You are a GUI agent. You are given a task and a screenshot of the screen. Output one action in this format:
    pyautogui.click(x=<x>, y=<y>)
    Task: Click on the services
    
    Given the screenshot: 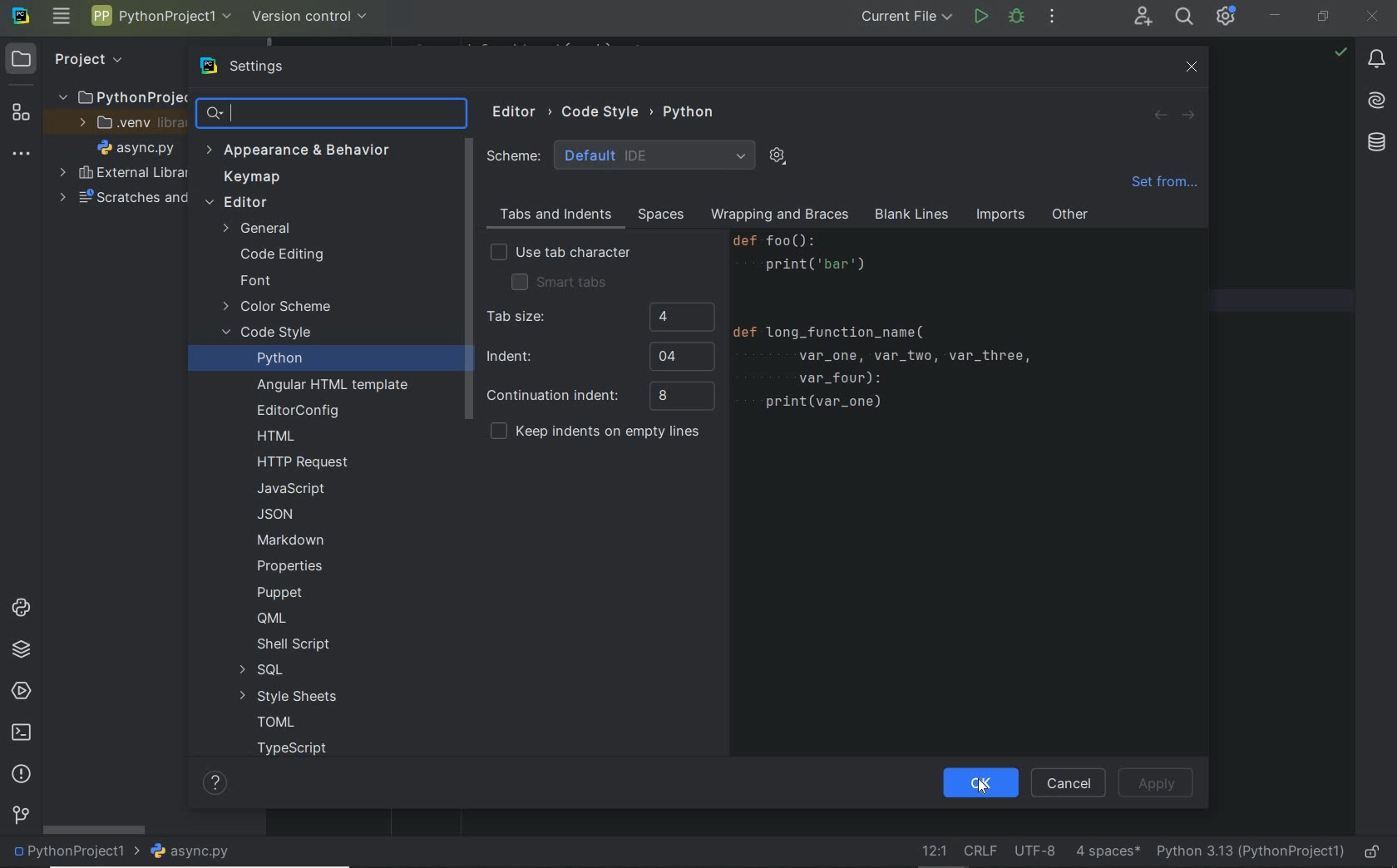 What is the action you would take?
    pyautogui.click(x=20, y=689)
    